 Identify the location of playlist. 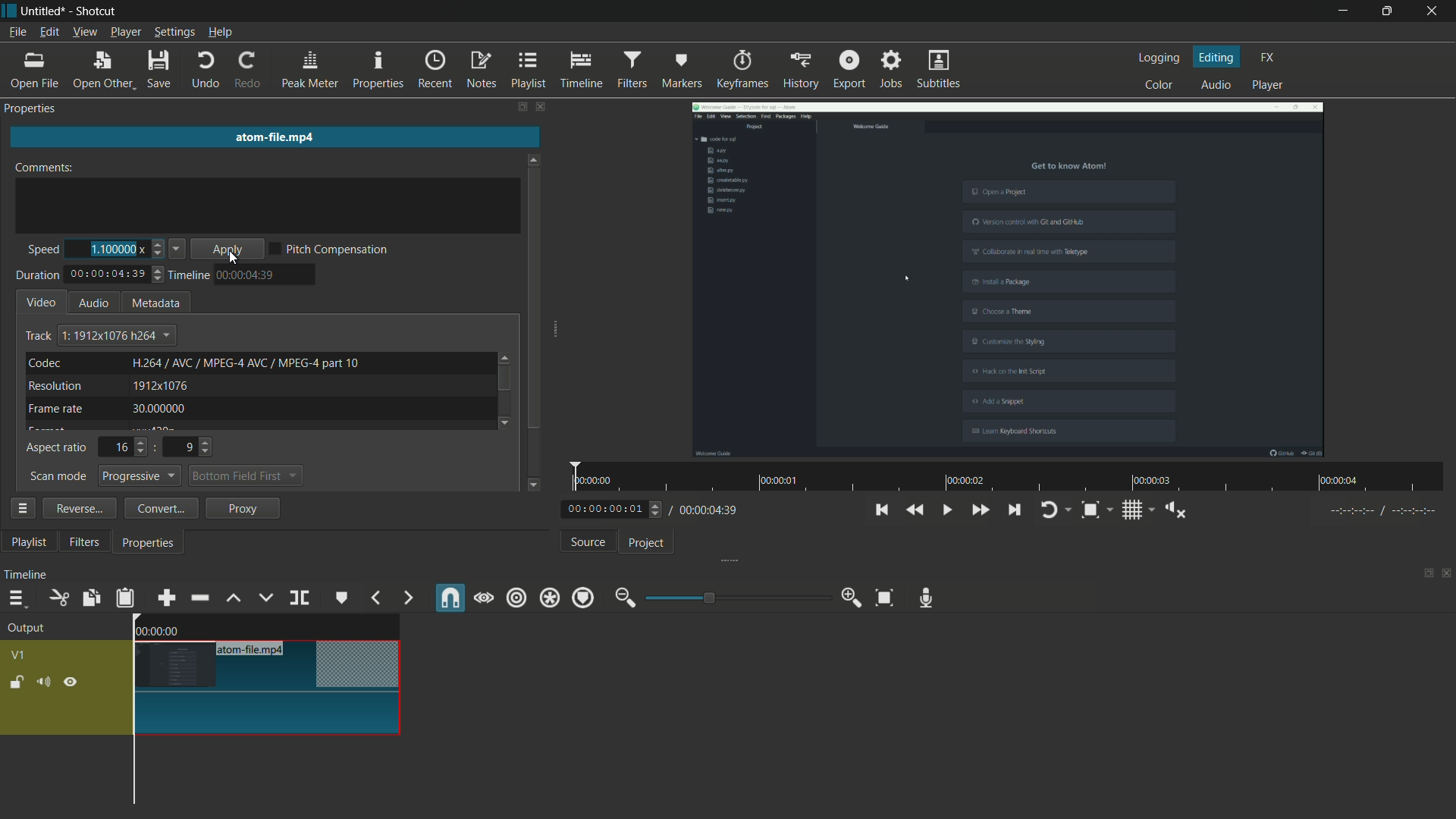
(529, 70).